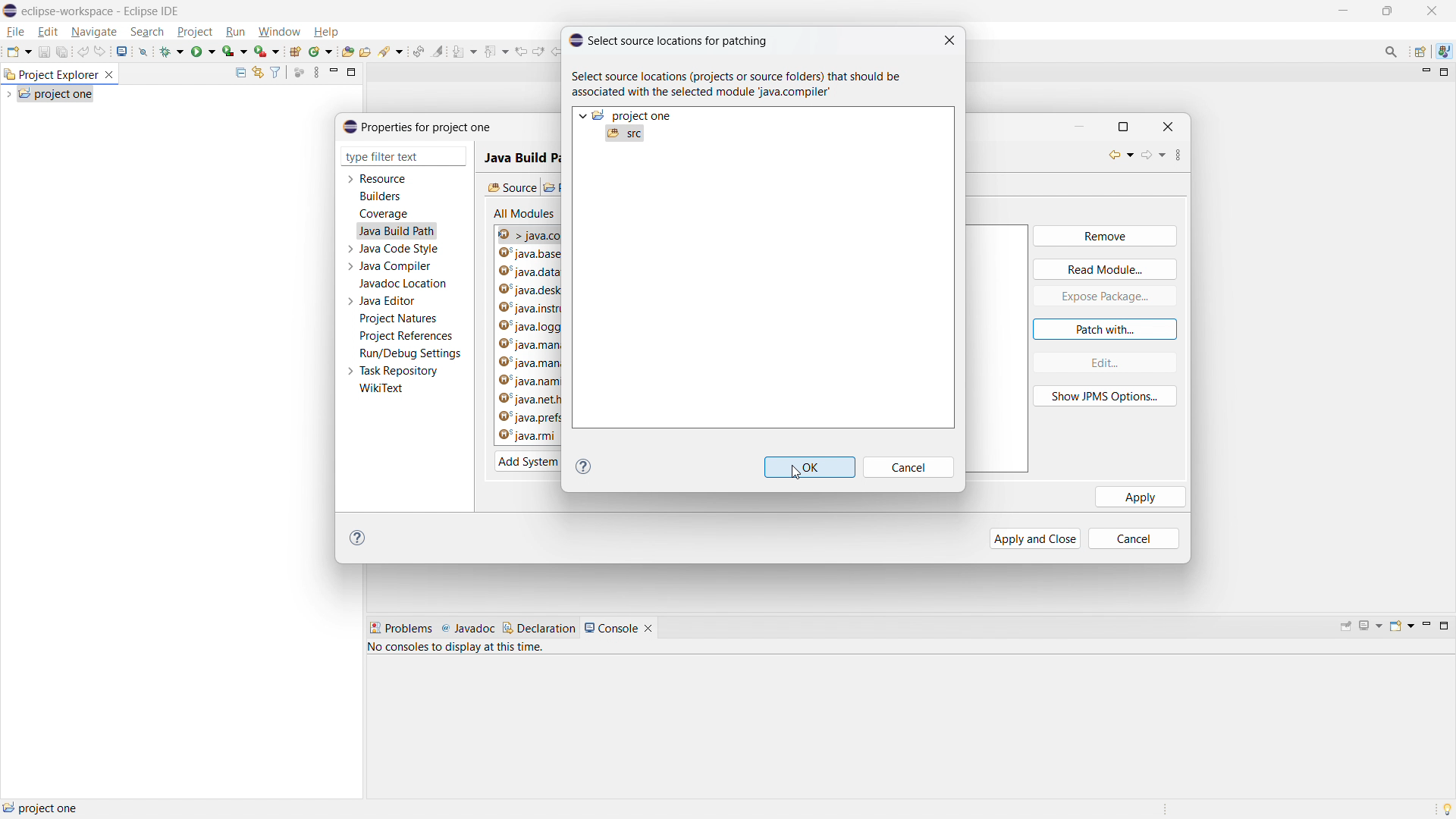 The image size is (1456, 819). I want to click on display selected console, so click(1372, 626).